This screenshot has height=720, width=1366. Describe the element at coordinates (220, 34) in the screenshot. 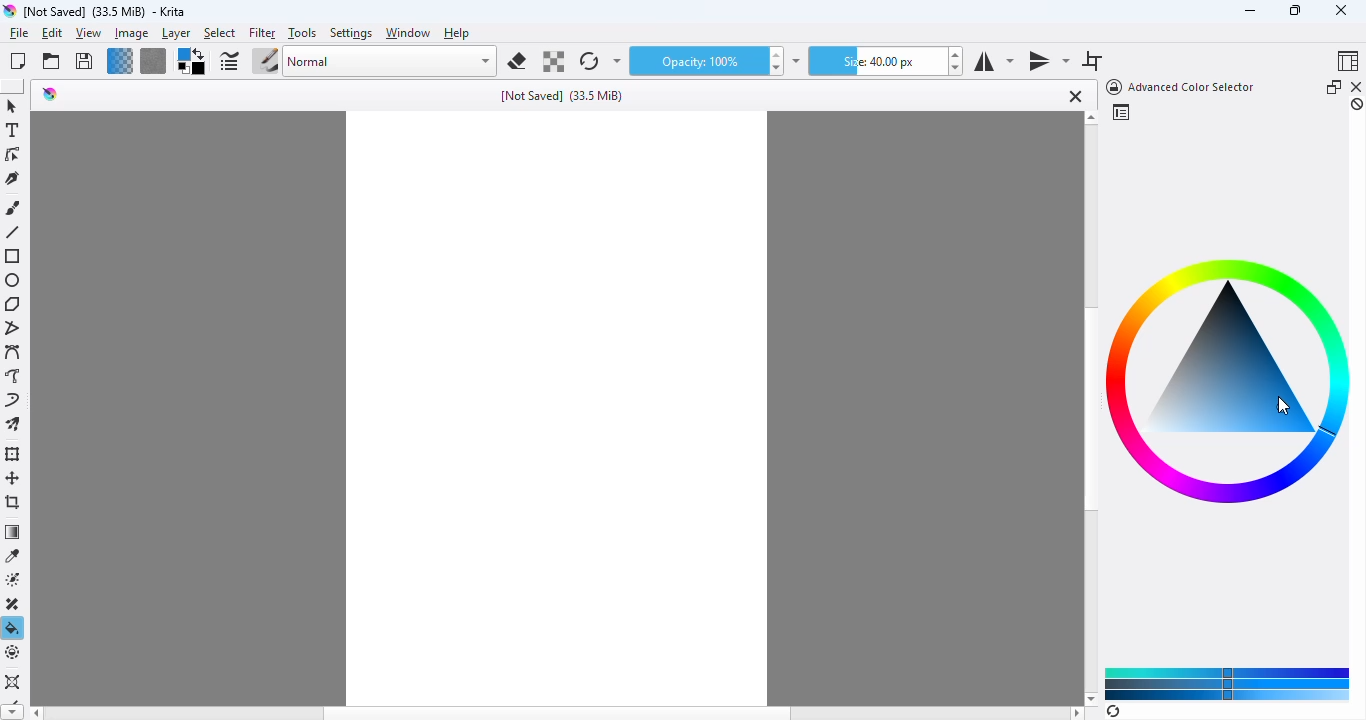

I see `select` at that location.